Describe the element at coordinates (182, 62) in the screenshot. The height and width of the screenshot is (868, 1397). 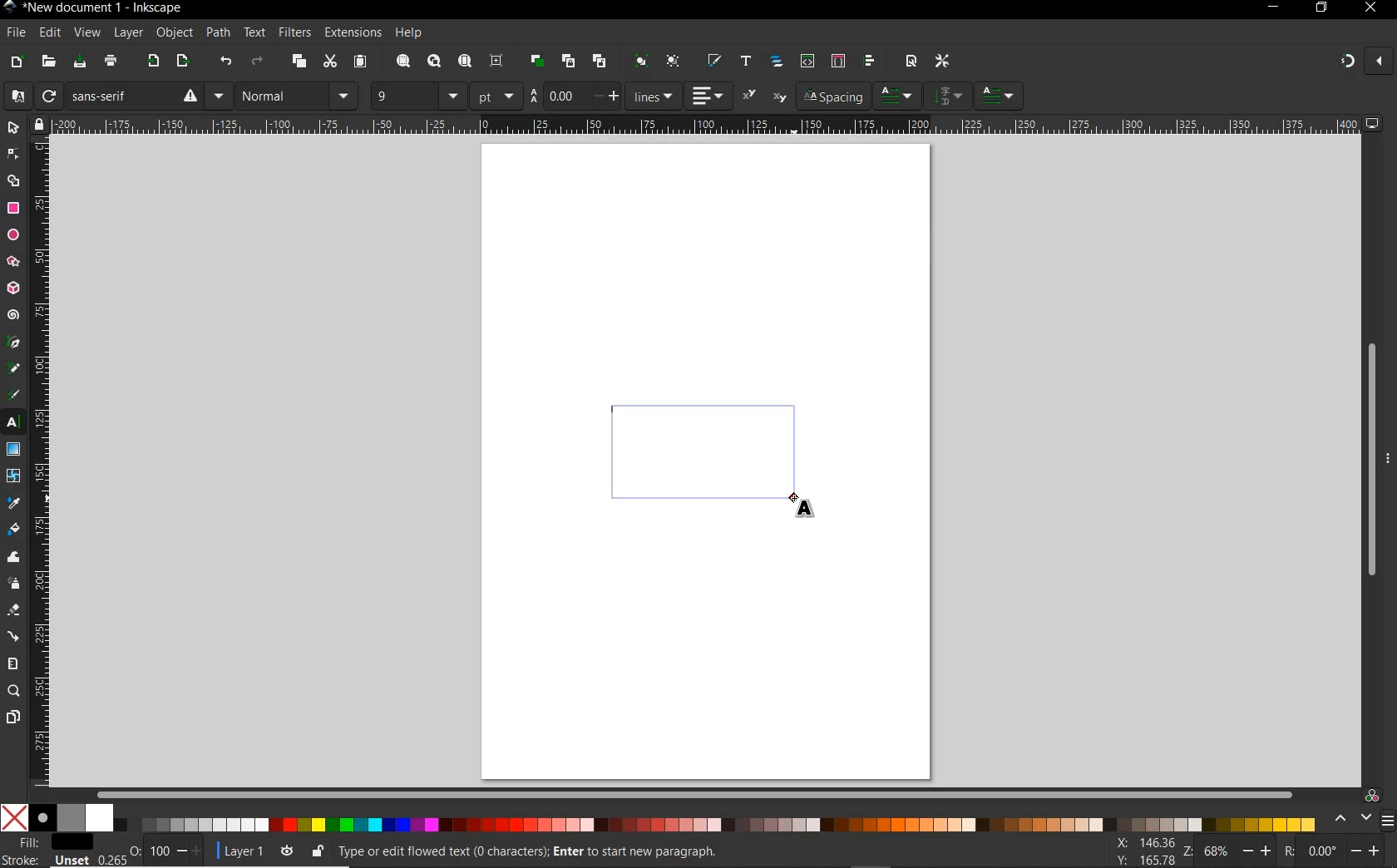
I see `open export` at that location.